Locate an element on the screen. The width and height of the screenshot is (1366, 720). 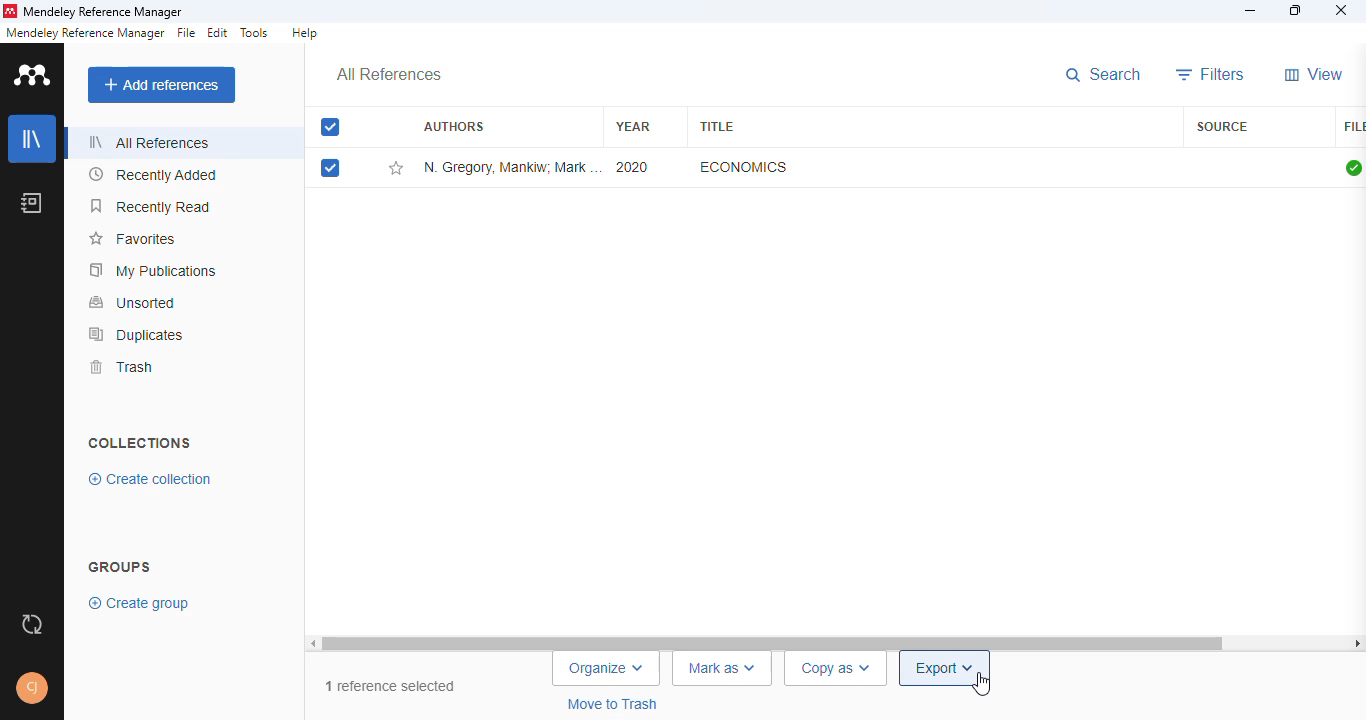
library is located at coordinates (32, 137).